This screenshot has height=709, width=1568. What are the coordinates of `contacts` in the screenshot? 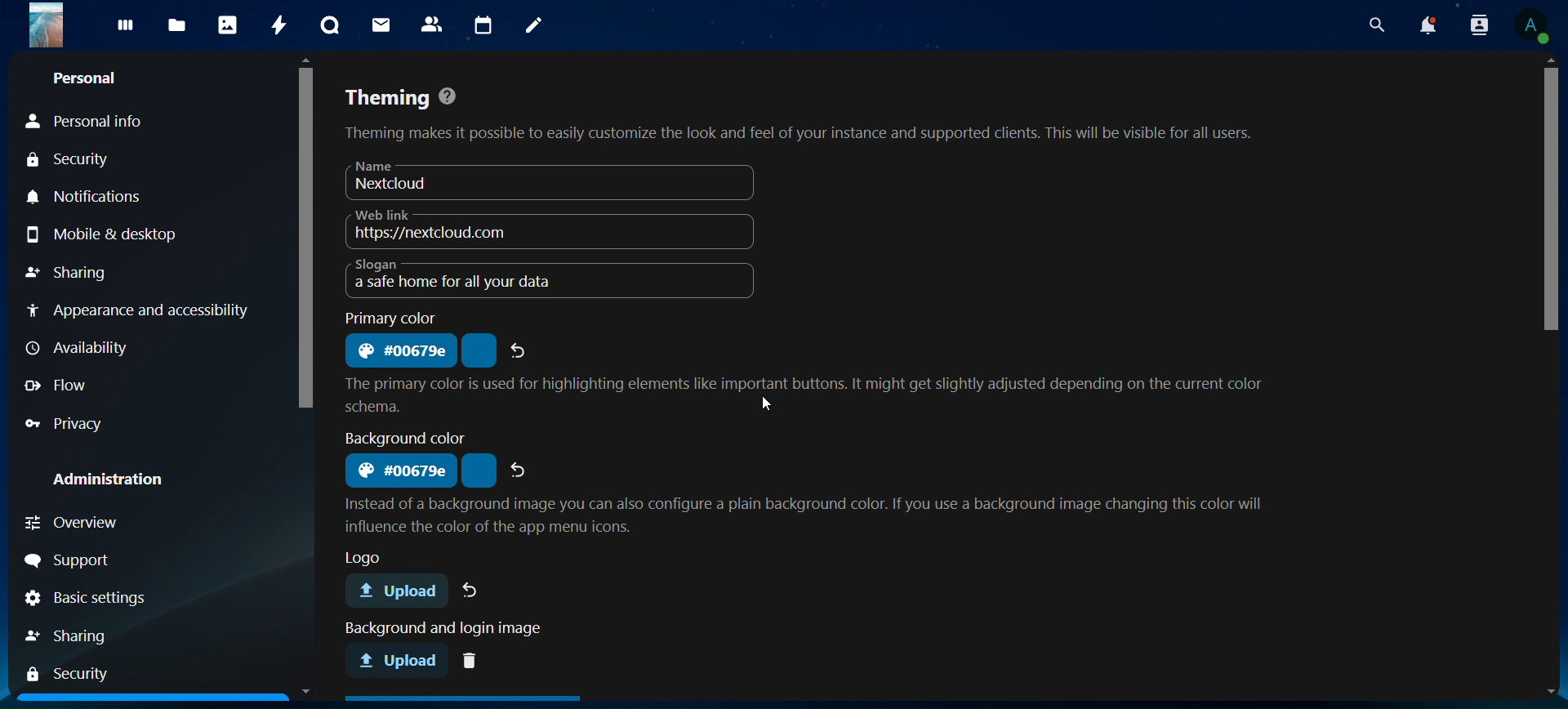 It's located at (432, 25).